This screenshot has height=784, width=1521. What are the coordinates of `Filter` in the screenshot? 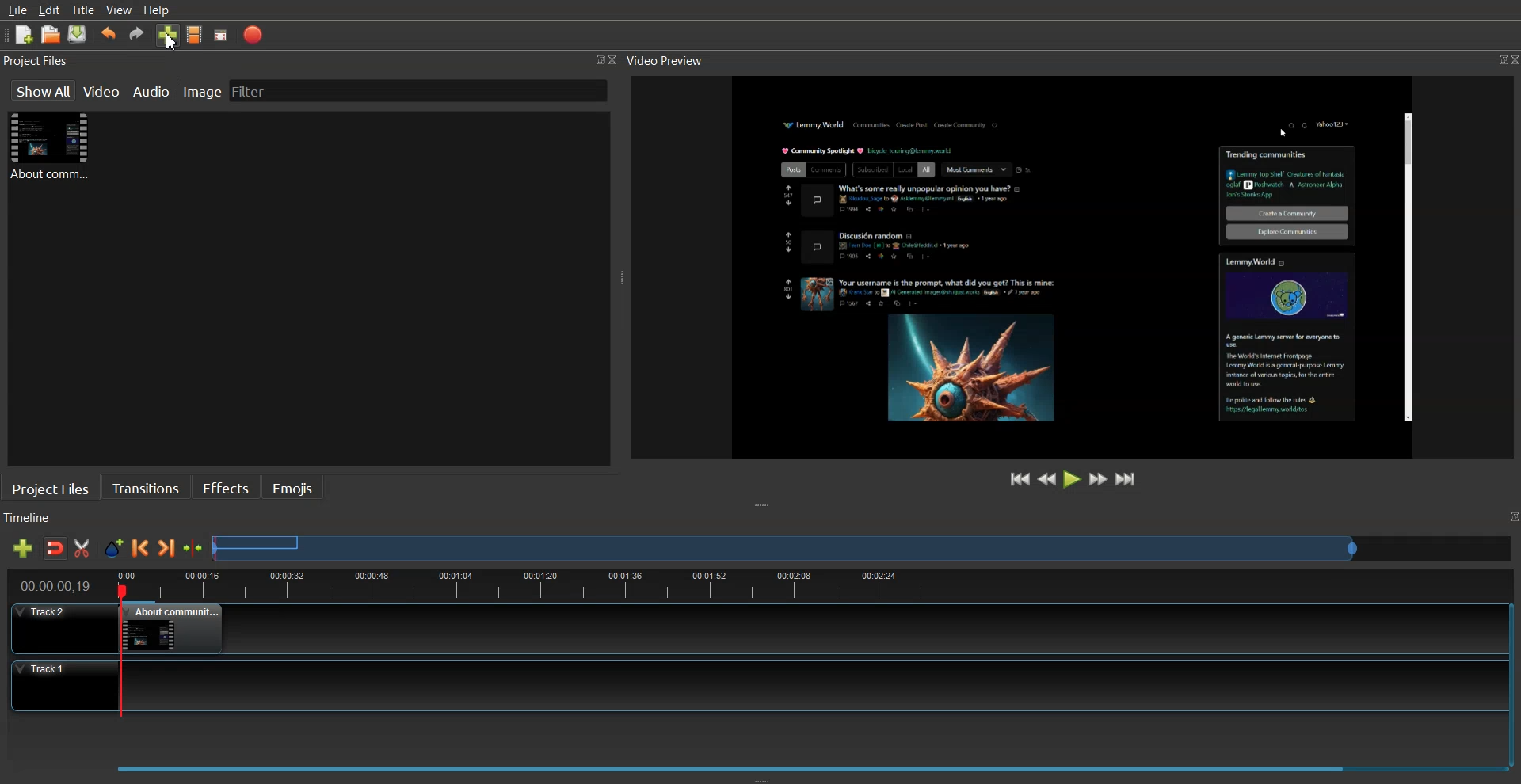 It's located at (262, 90).